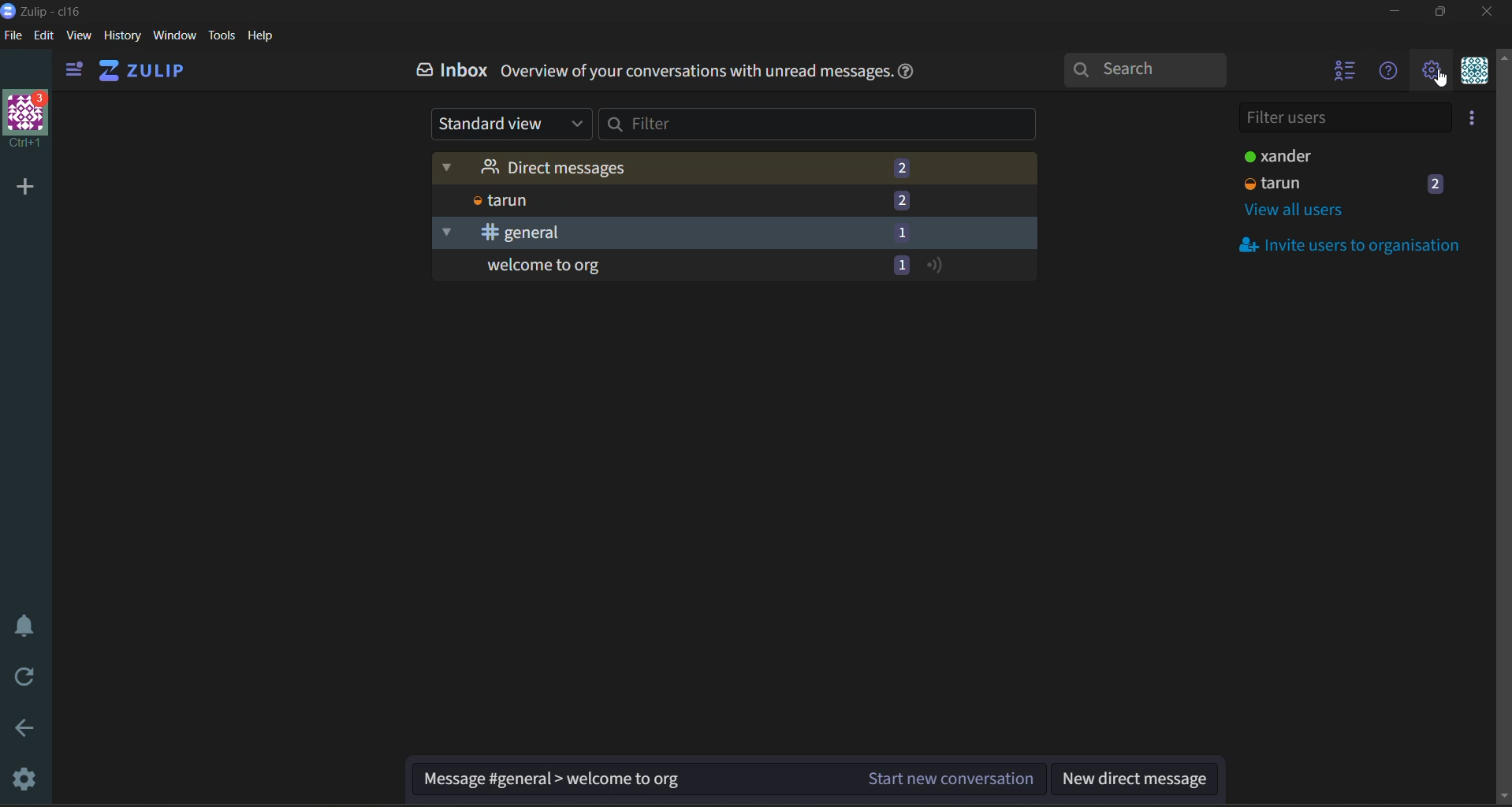  I want to click on help menu, so click(1386, 72).